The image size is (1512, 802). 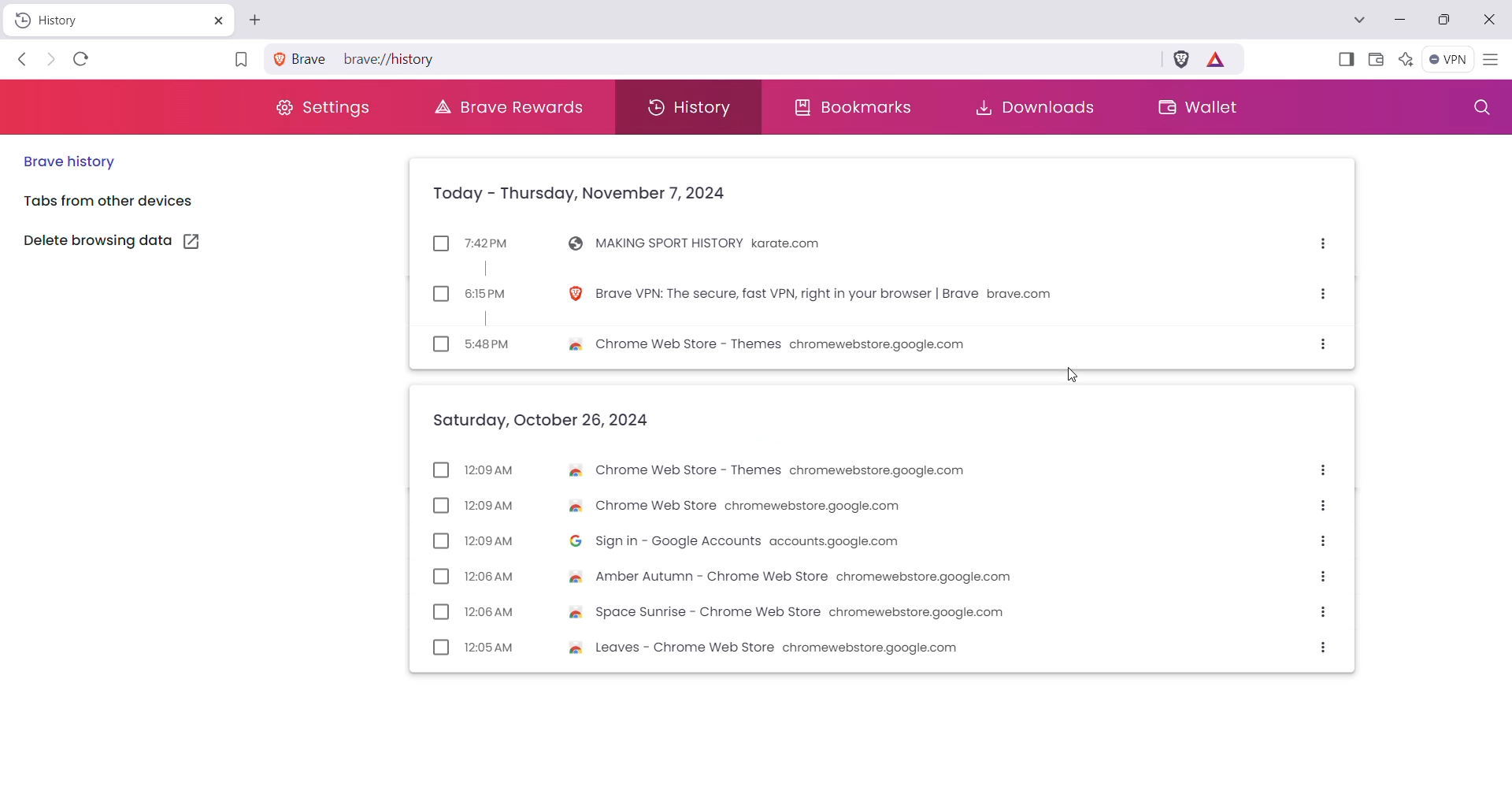 I want to click on & Chrome Web Store chromewebstore.google.com, so click(x=757, y=505).